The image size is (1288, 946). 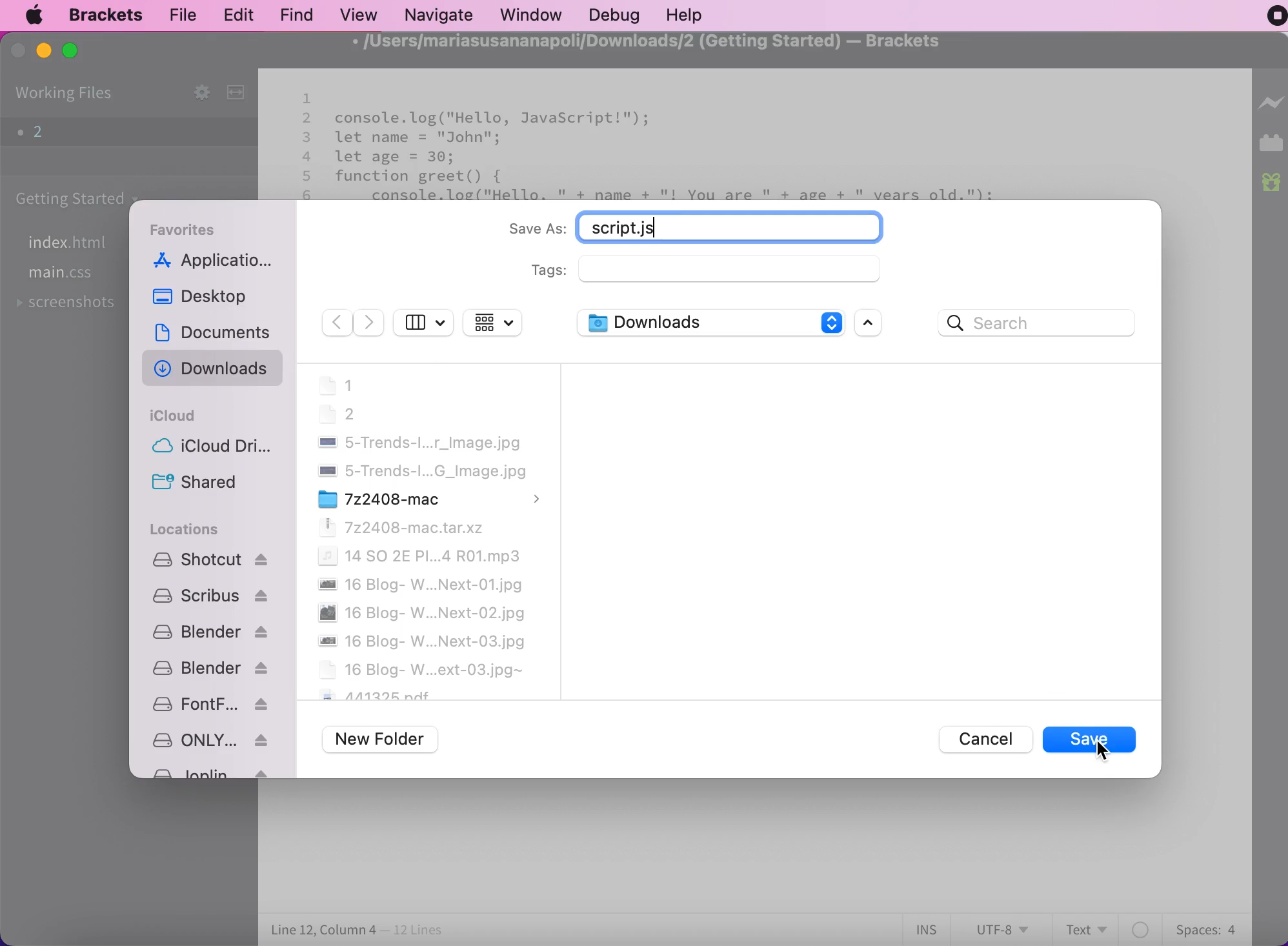 What do you see at coordinates (663, 155) in the screenshot?
I see `console.log("Hello, JavaScript!");let name = "John";let age = 30;function greet() {console.log("Hello, " + name + "! You are " + age + " years old.");}greet ();document.addEventListener ("DOMContentLoaded", function() {const heading = document.querySelector("h1");| heading textcontent = "Welcome to My JavaScript Page"; });` at bounding box center [663, 155].